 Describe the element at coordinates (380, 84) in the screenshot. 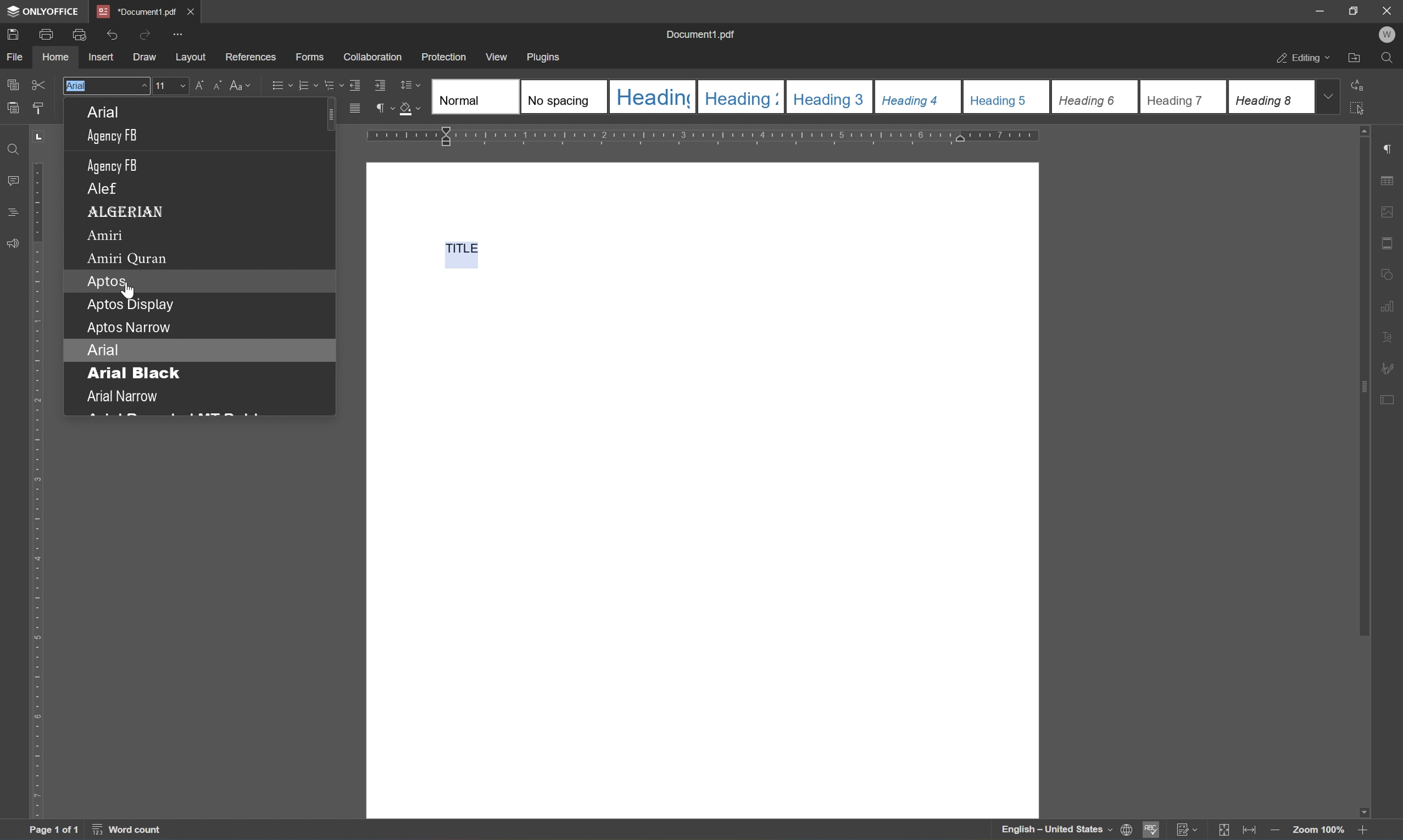

I see `Increase indent` at that location.